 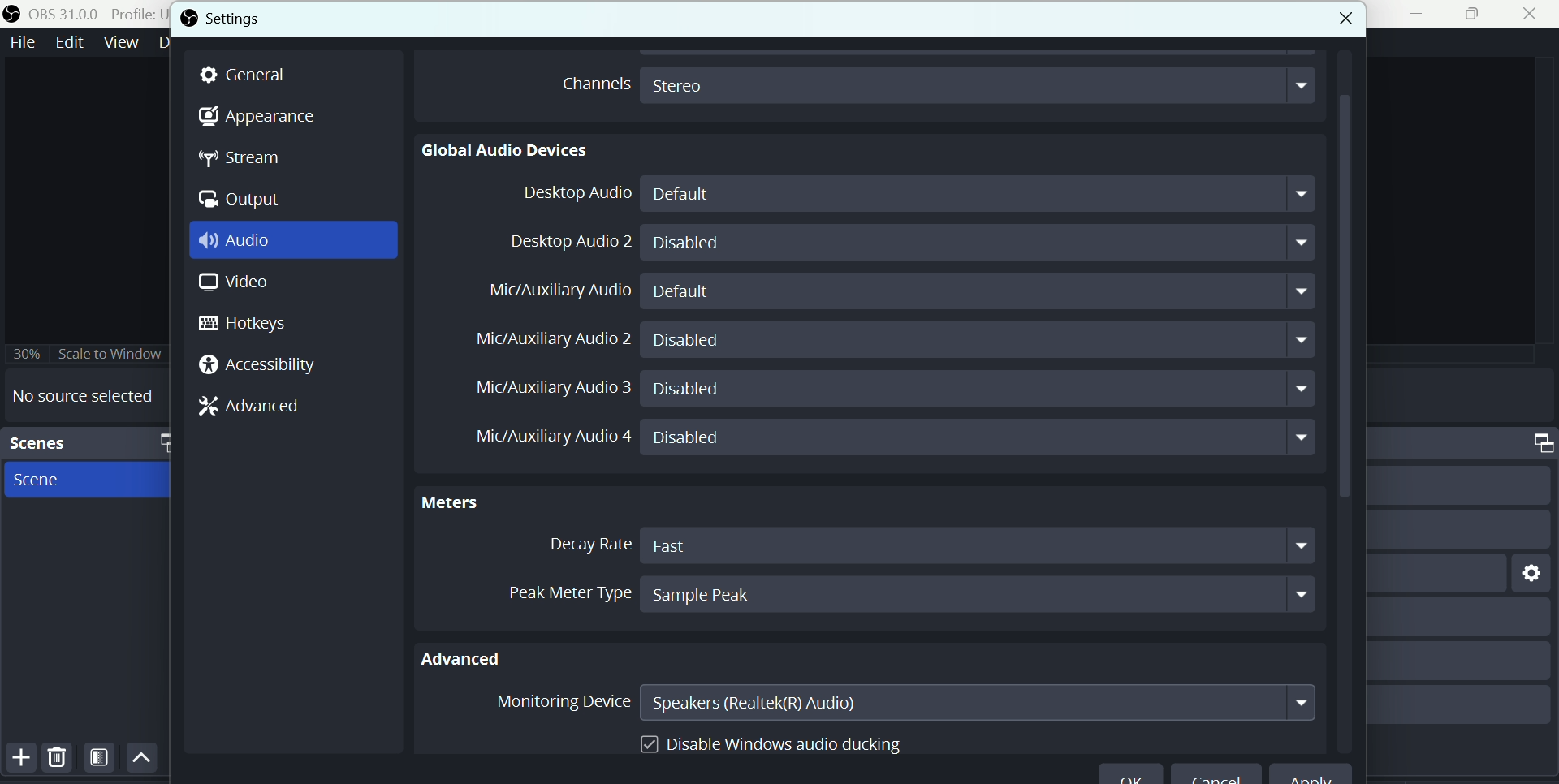 I want to click on Stereo, so click(x=979, y=84).